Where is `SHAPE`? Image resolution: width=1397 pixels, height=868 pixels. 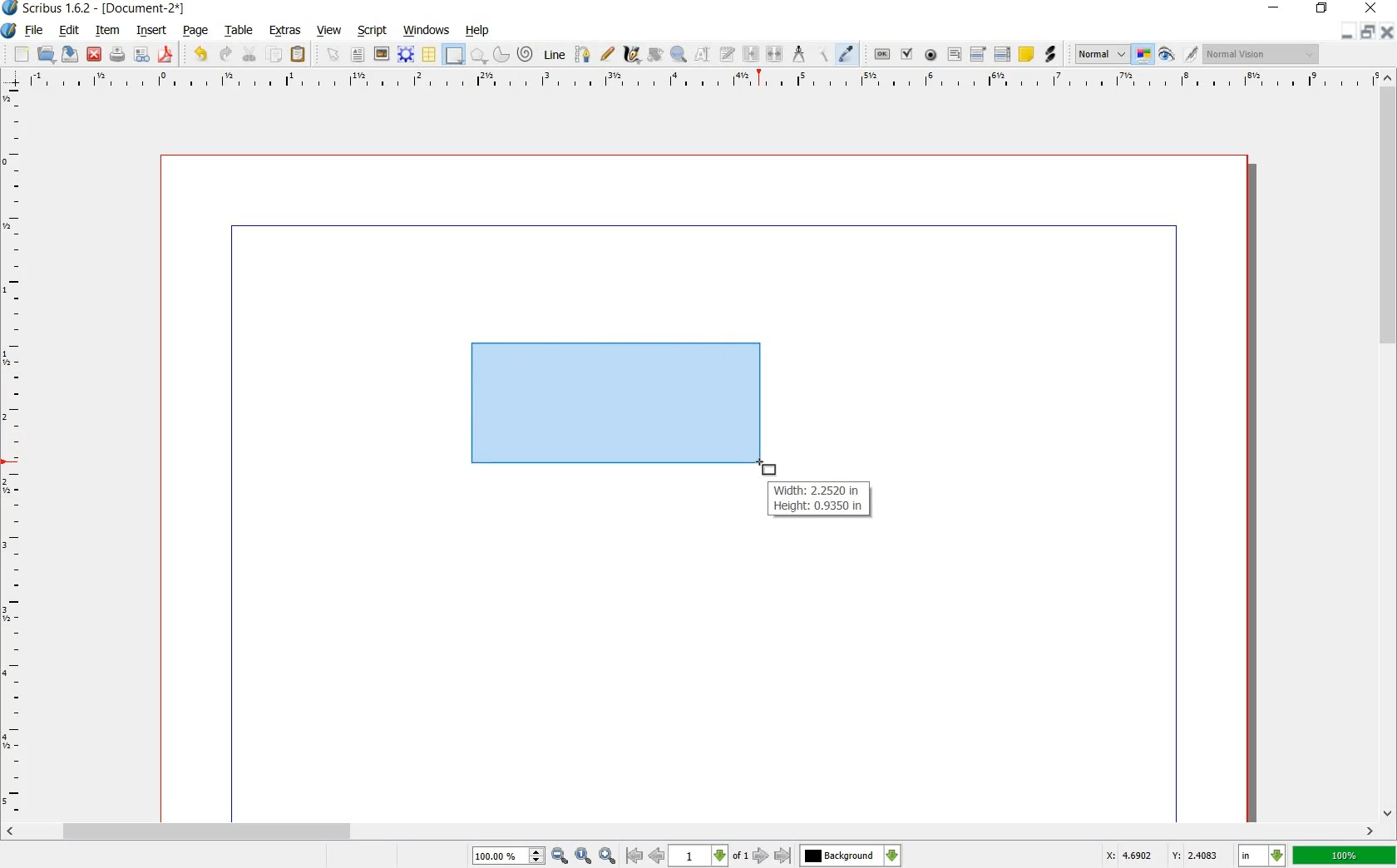 SHAPE is located at coordinates (453, 54).